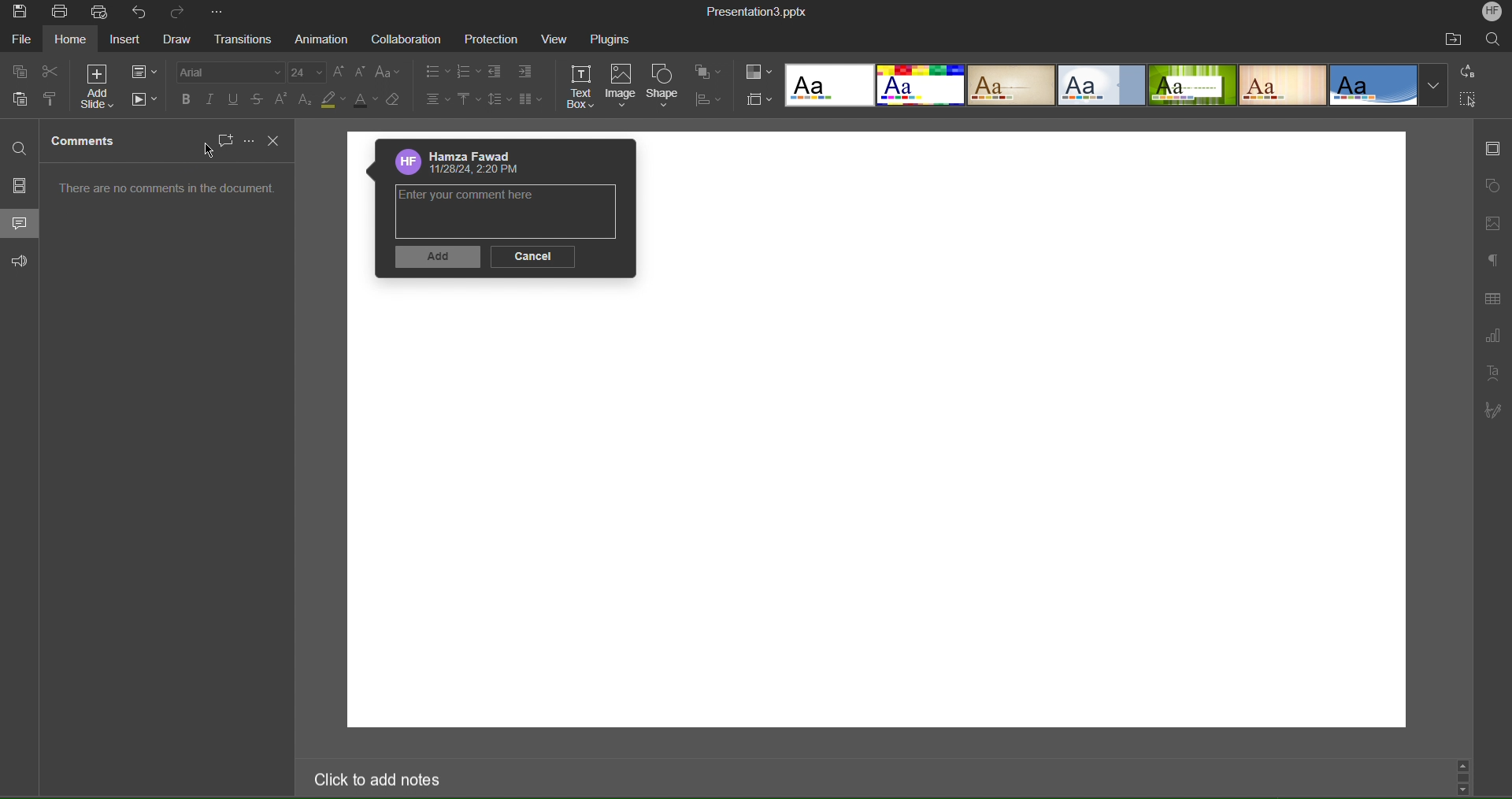 The width and height of the screenshot is (1512, 799). I want to click on View, so click(558, 39).